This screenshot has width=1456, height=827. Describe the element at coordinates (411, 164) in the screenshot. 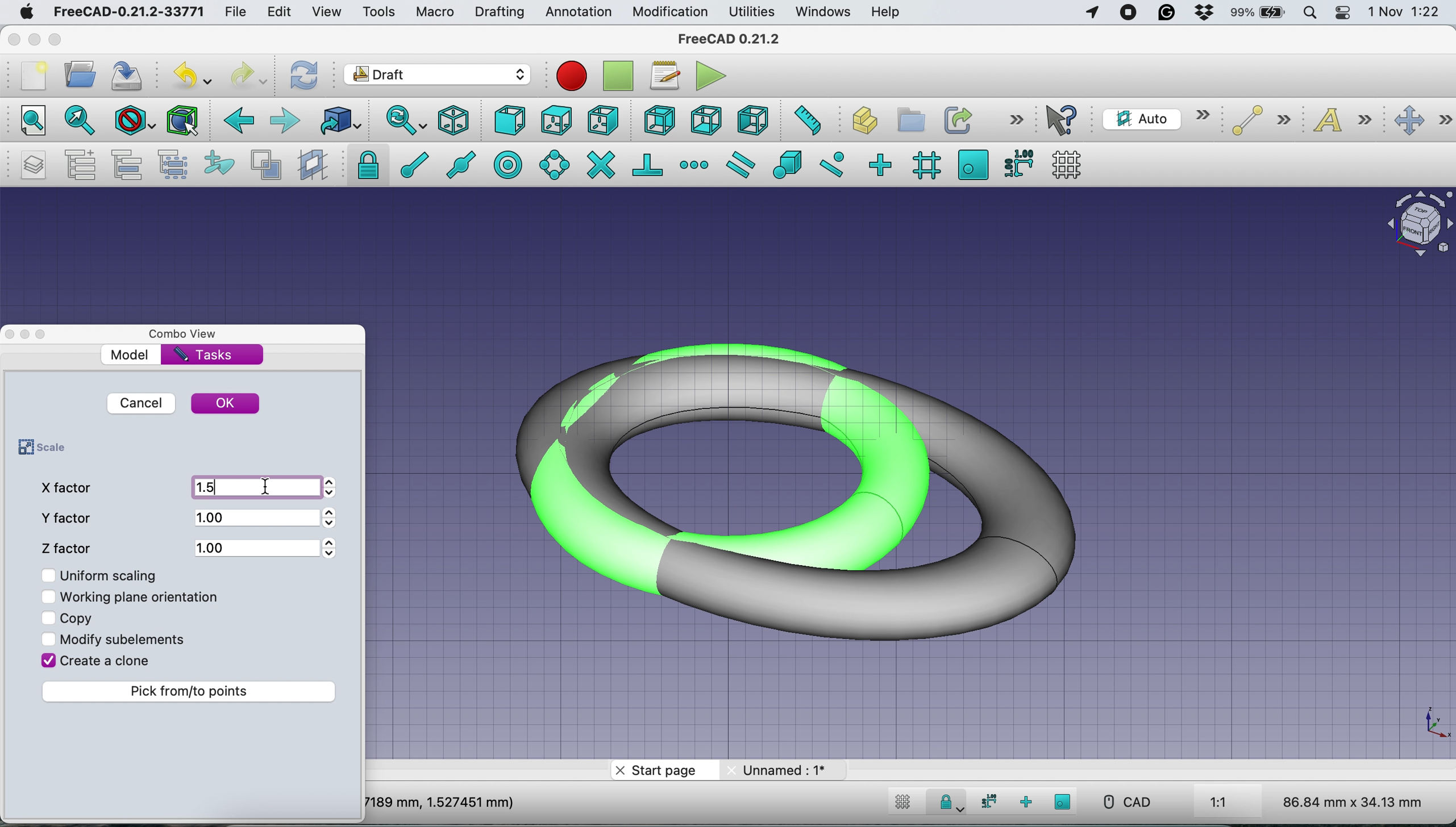

I see `snap endpoint` at that location.